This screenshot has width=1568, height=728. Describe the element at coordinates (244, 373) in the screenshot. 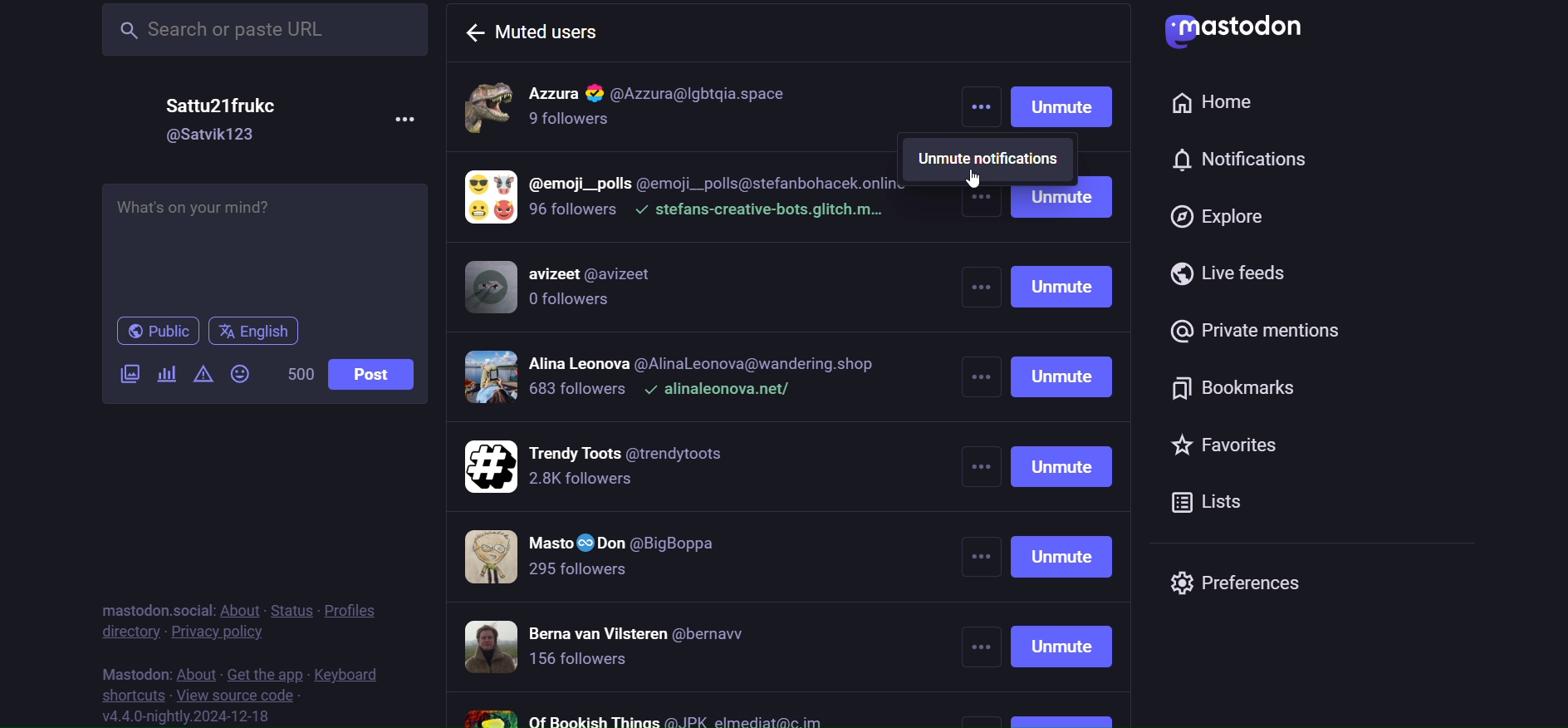

I see `emoji` at that location.